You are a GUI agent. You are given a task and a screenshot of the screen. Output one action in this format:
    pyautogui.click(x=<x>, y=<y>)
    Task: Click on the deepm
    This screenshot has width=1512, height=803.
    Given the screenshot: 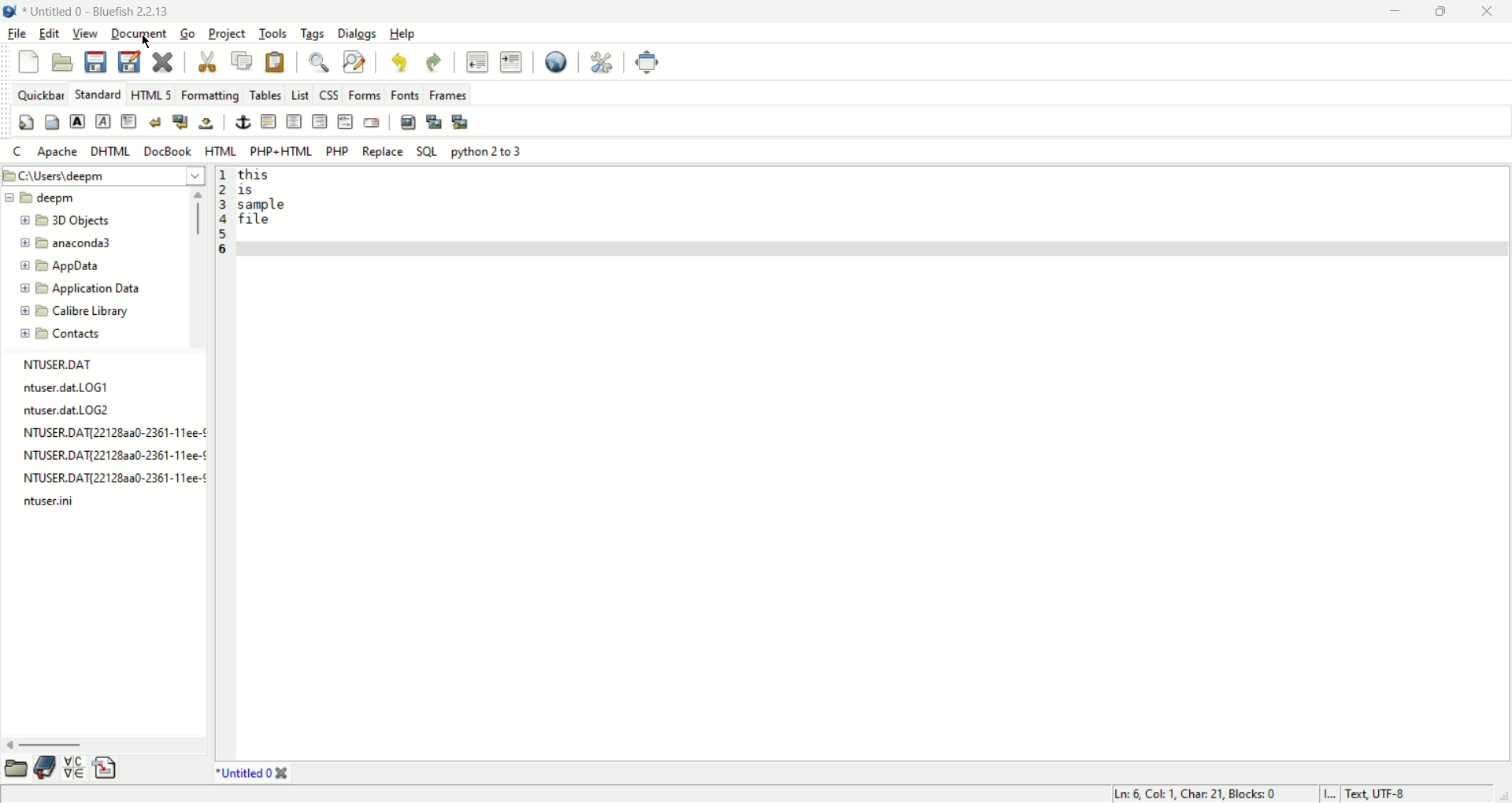 What is the action you would take?
    pyautogui.click(x=43, y=197)
    